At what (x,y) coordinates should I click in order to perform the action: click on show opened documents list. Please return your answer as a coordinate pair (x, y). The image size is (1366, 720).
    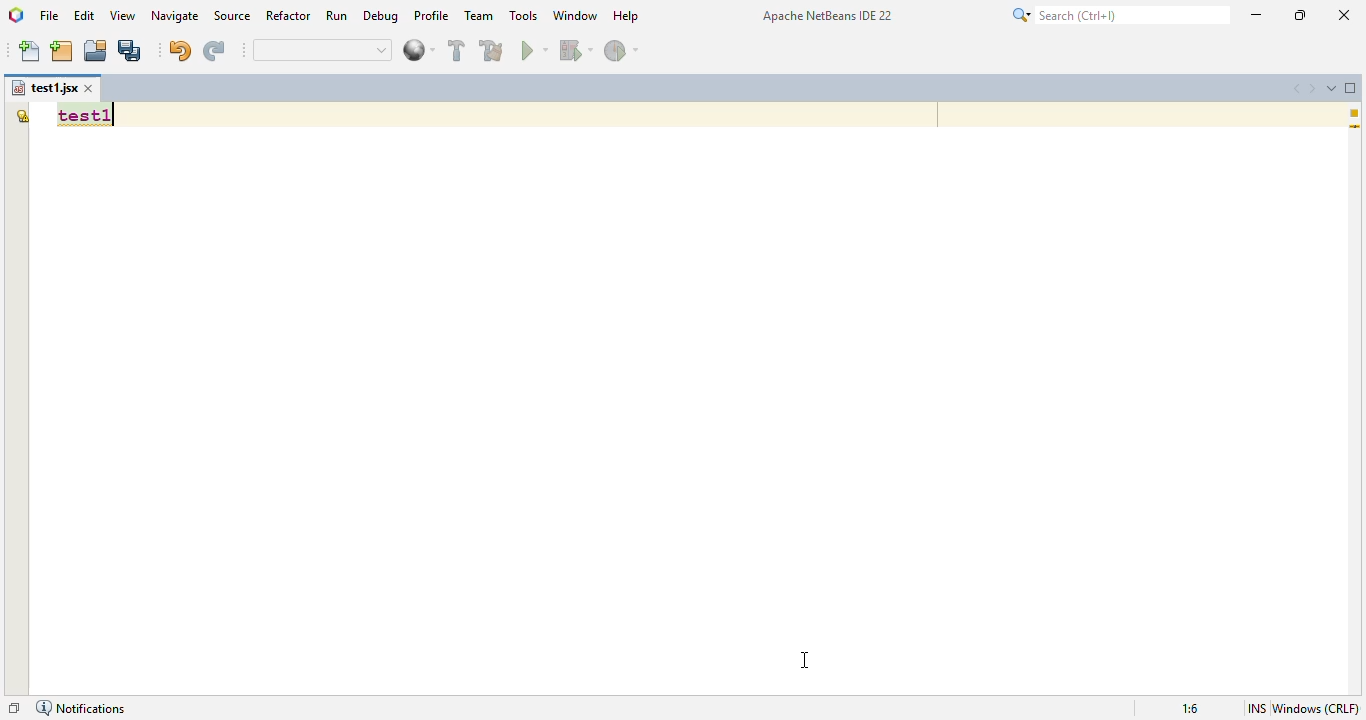
    Looking at the image, I should click on (1332, 88).